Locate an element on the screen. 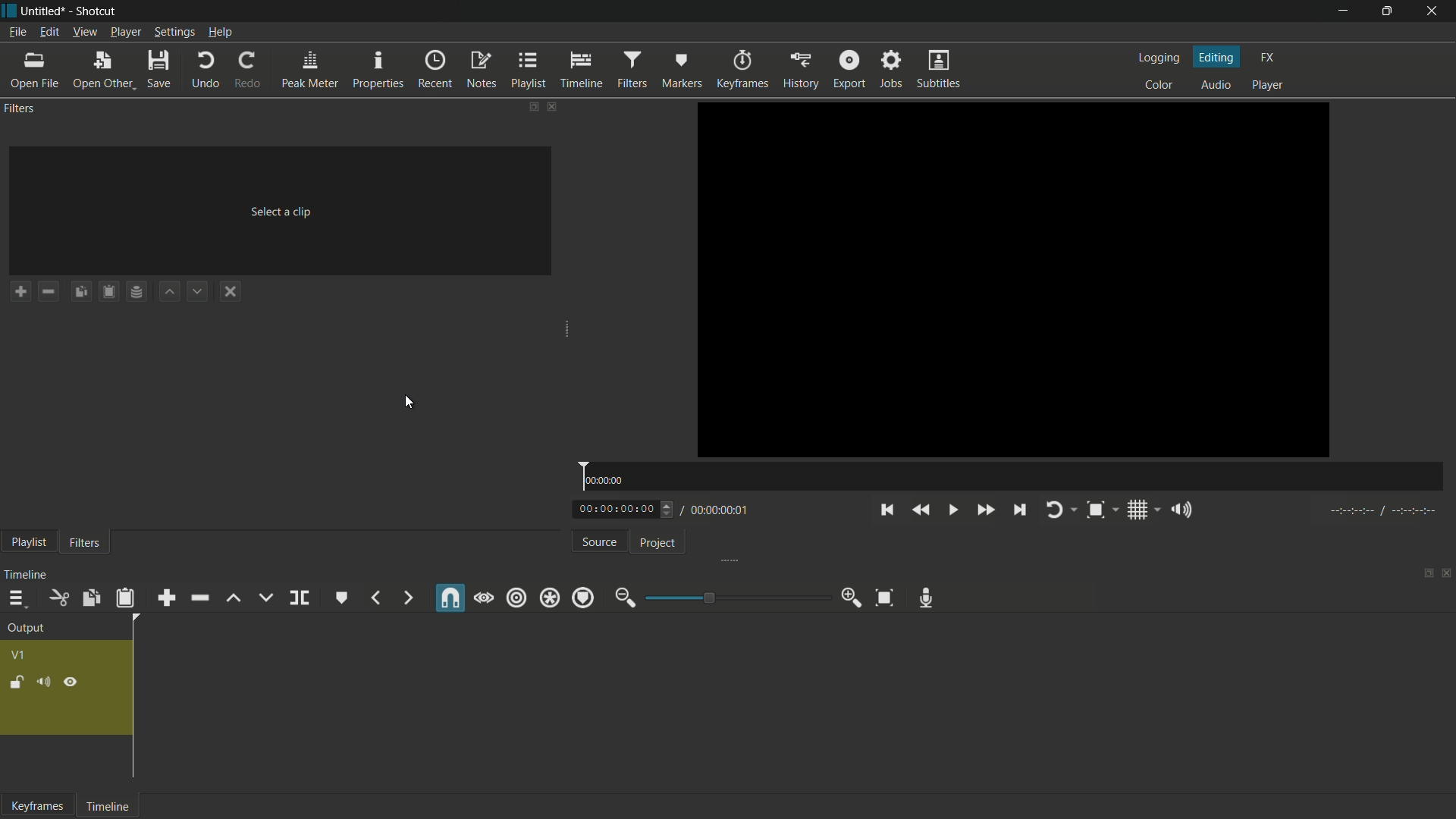 The image size is (1456, 819). toggle grid is located at coordinates (1139, 510).